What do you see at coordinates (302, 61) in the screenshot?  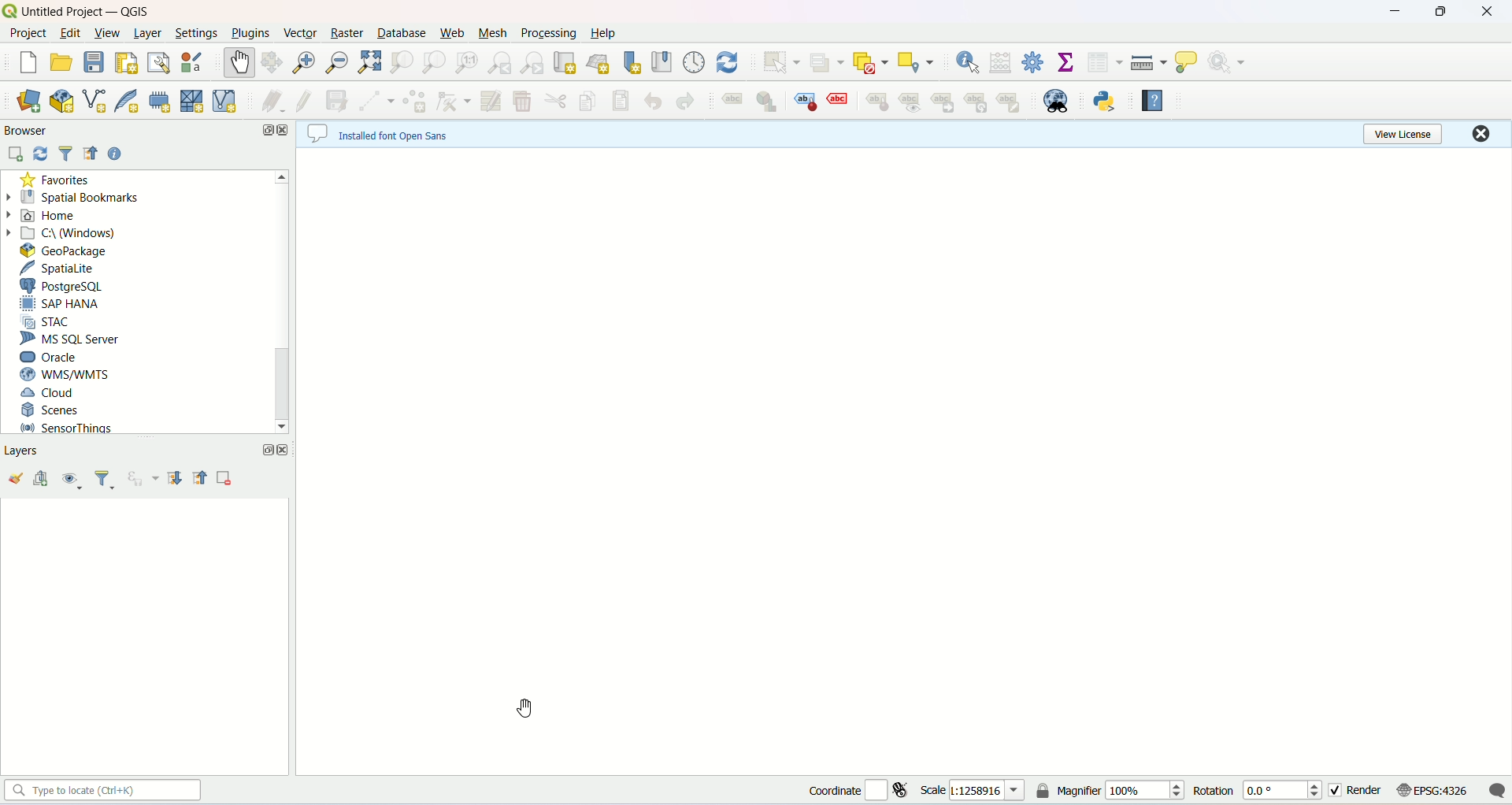 I see `zoom in` at bounding box center [302, 61].